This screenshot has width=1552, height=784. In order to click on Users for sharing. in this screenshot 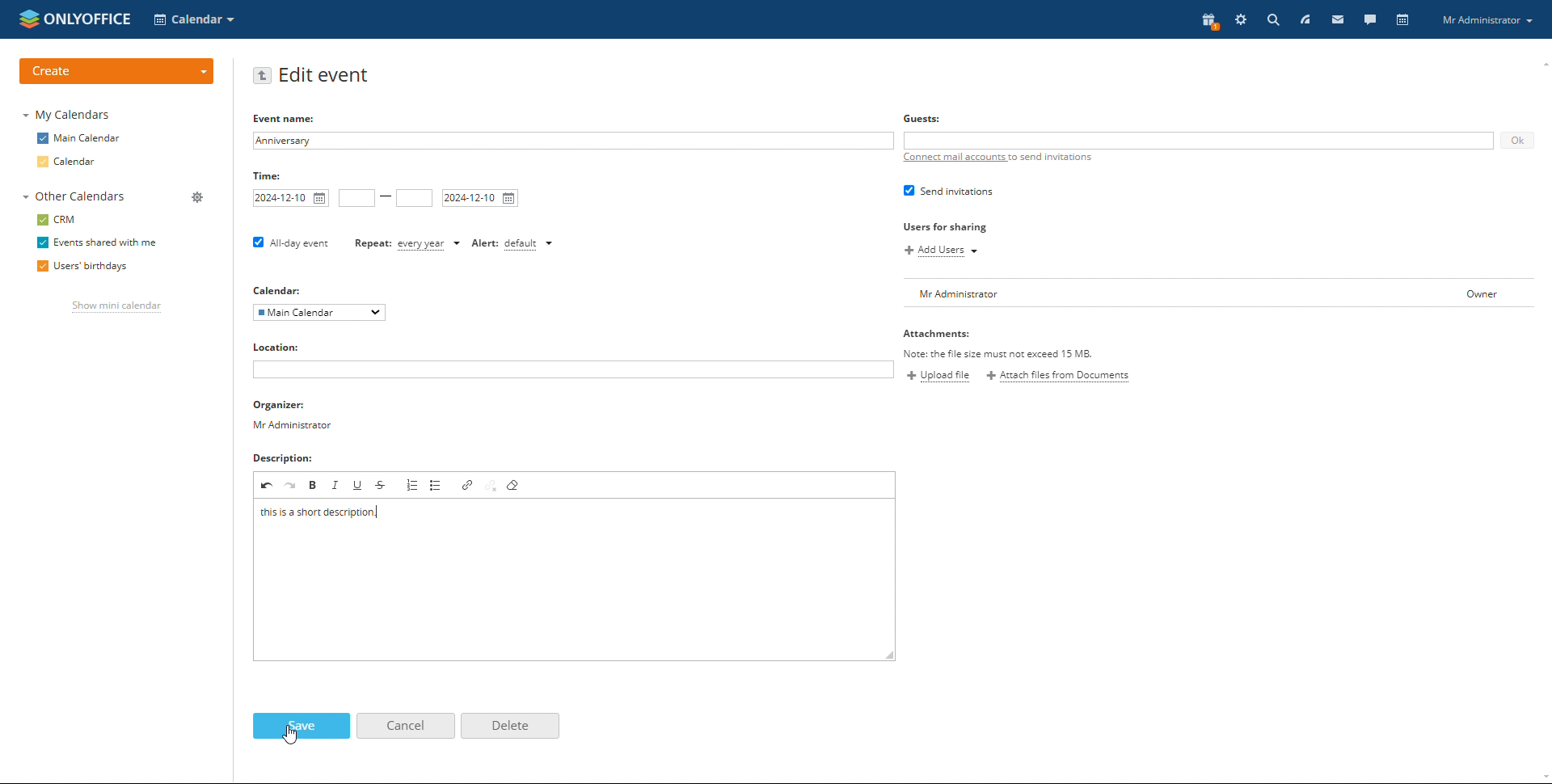, I will do `click(945, 226)`.